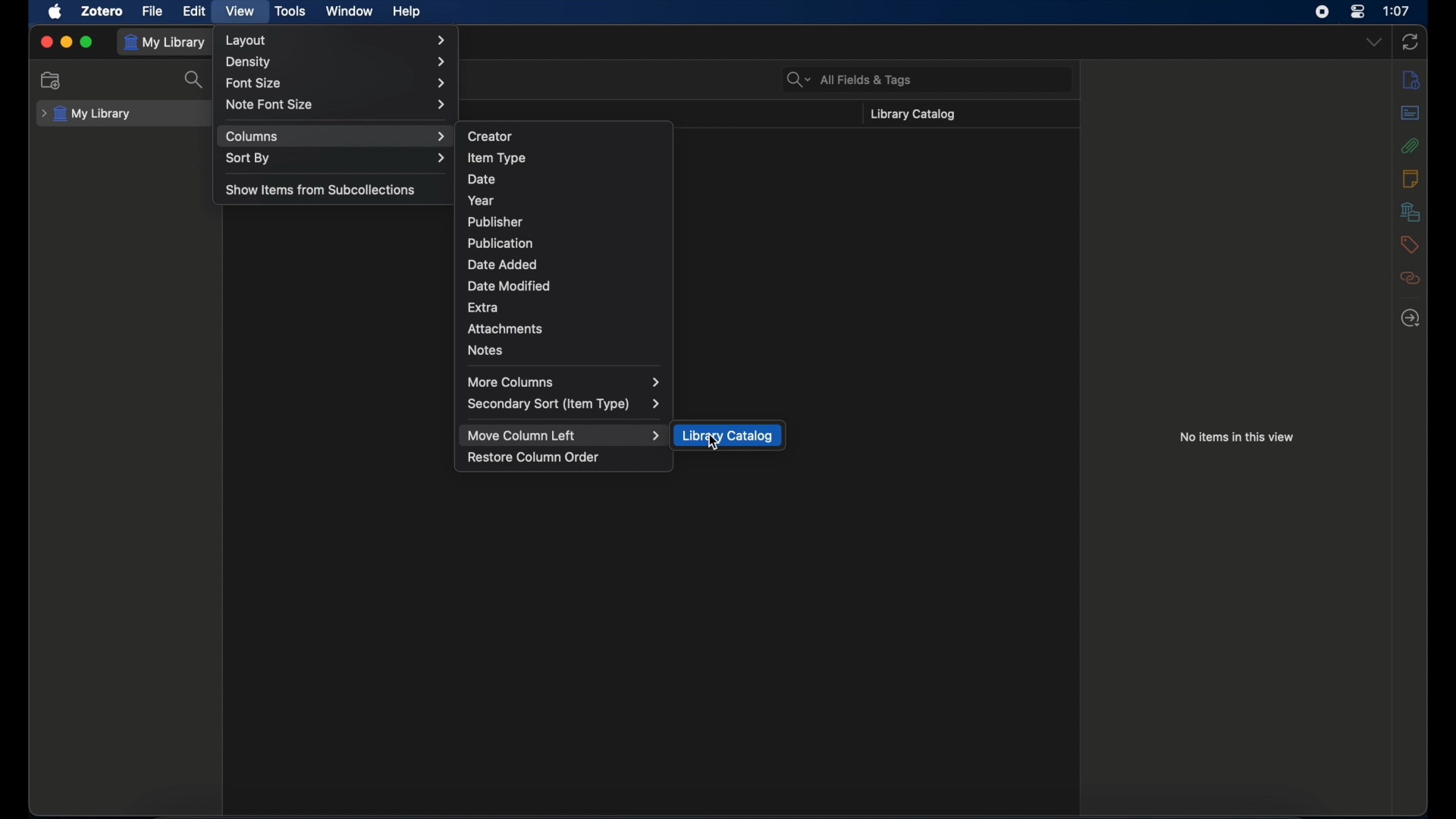 This screenshot has width=1456, height=819. What do you see at coordinates (1410, 113) in the screenshot?
I see `abstract` at bounding box center [1410, 113].